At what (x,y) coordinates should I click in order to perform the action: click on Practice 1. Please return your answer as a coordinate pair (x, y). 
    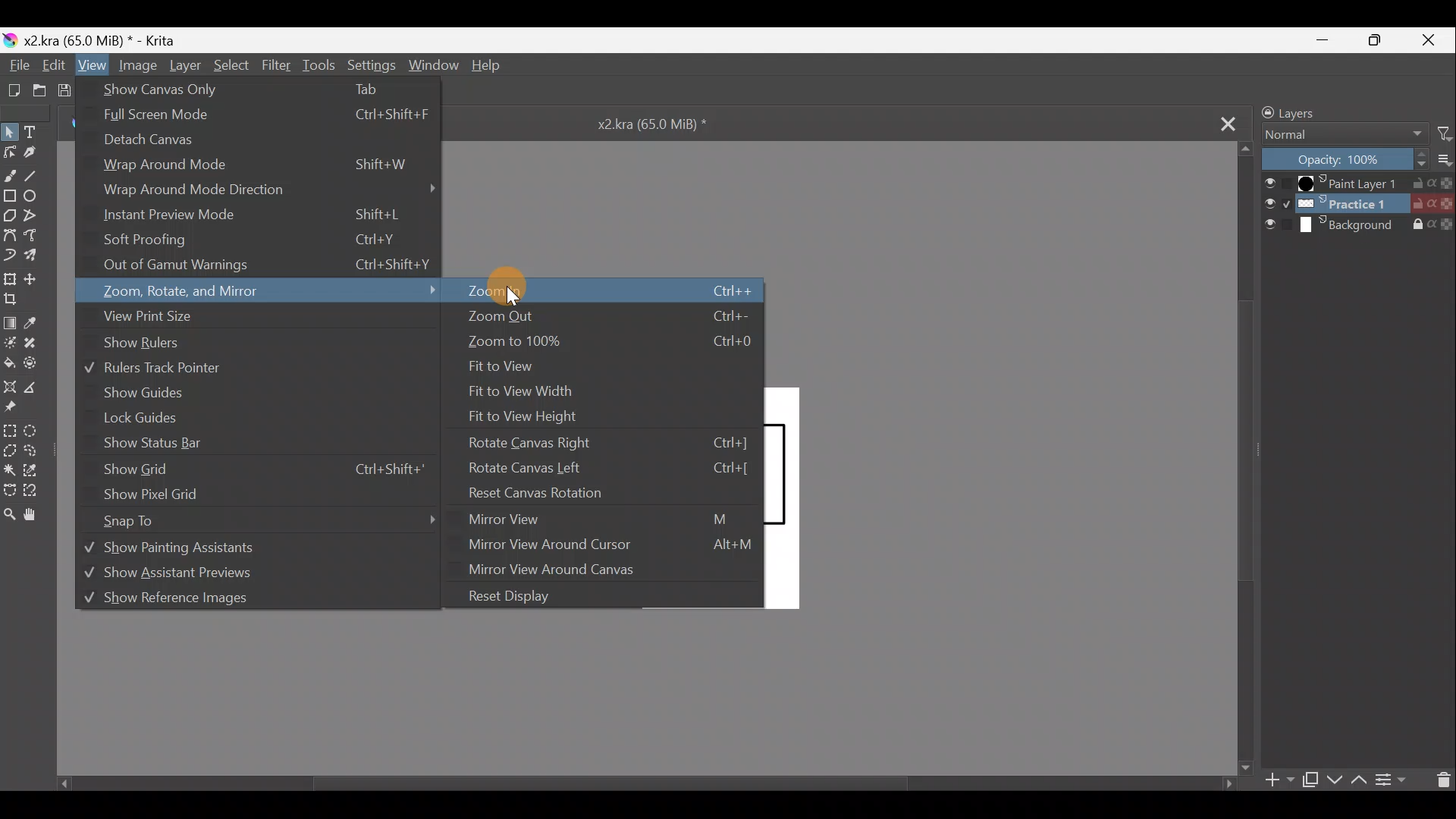
    Looking at the image, I should click on (1359, 203).